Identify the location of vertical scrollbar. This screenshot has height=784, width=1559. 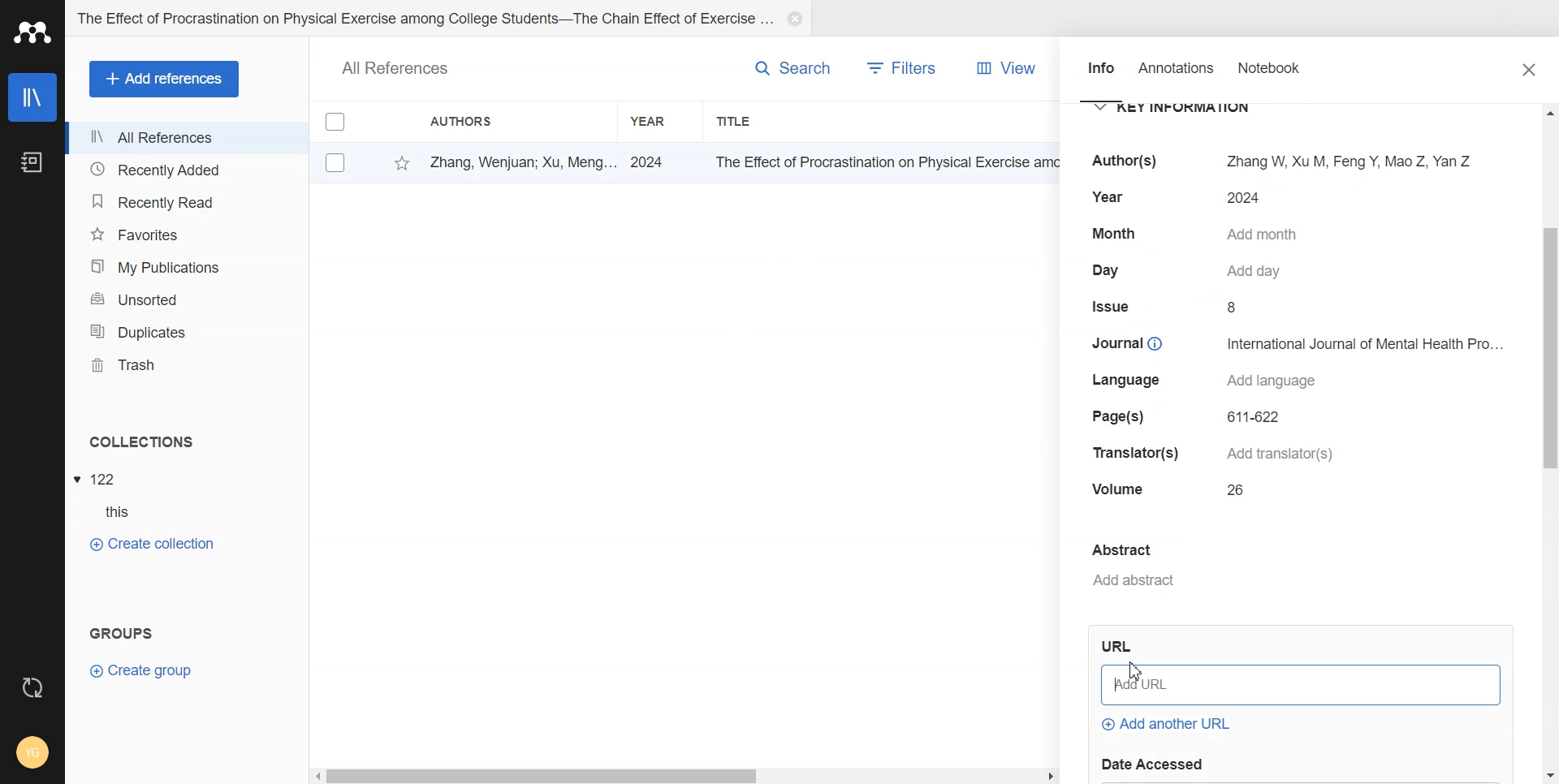
(1548, 359).